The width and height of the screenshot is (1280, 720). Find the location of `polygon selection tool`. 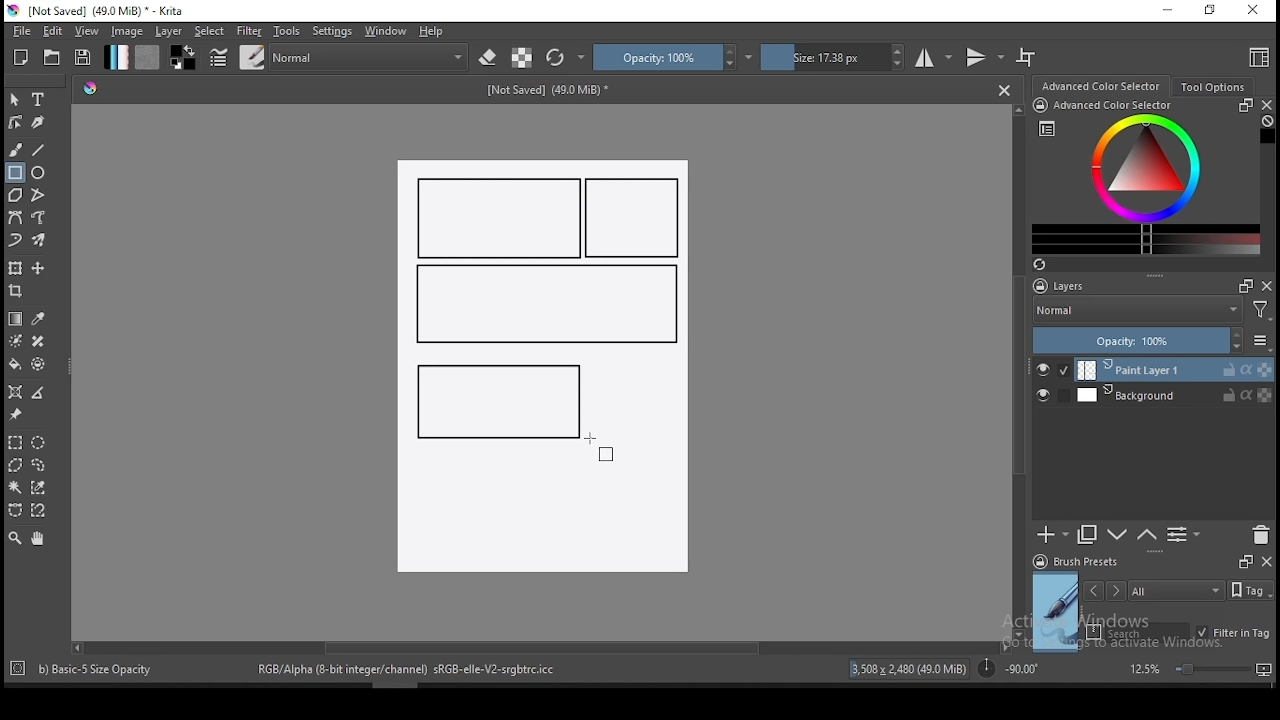

polygon selection tool is located at coordinates (16, 465).